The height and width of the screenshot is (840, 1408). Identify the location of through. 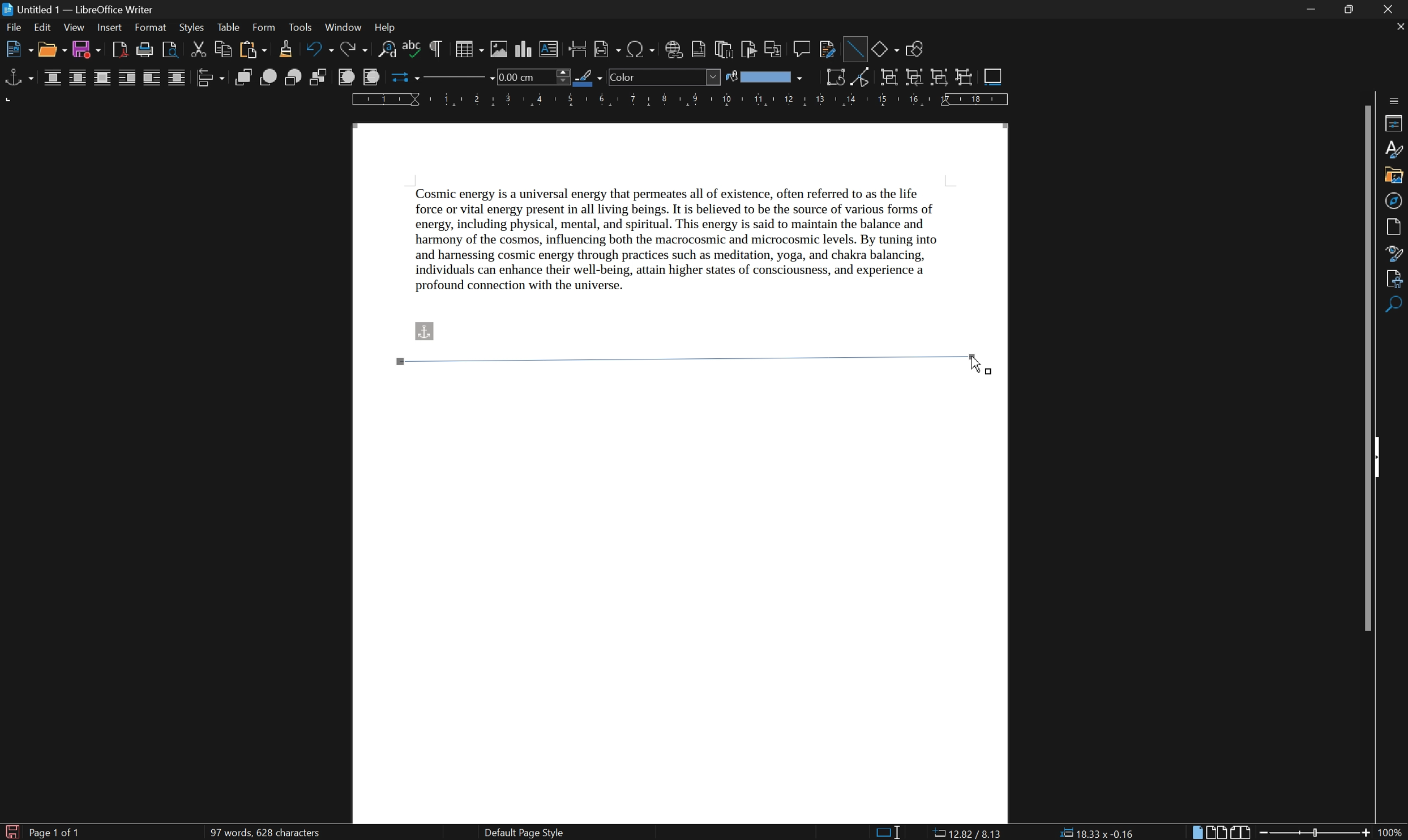
(177, 78).